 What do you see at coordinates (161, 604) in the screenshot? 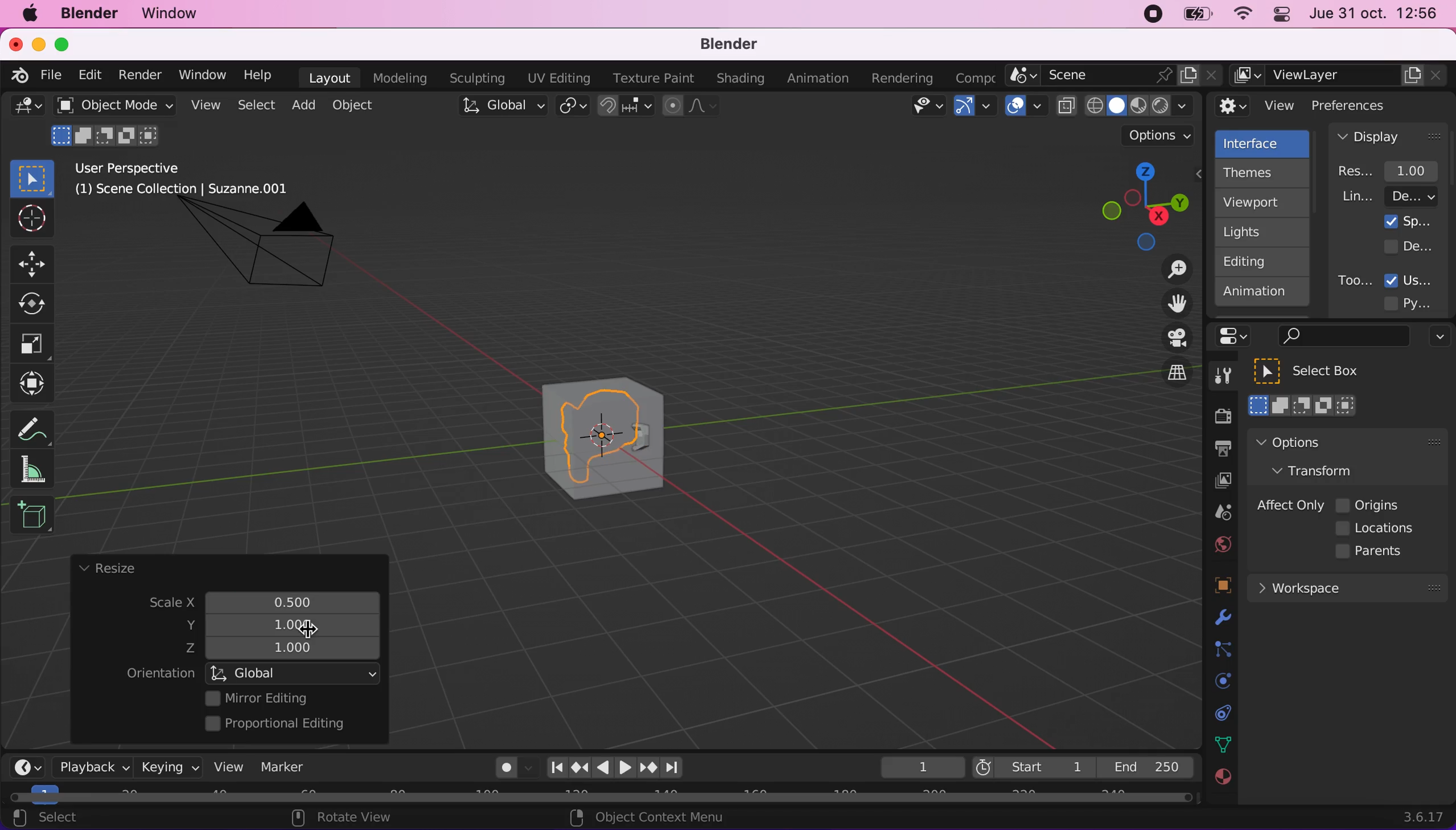
I see `scale` at bounding box center [161, 604].